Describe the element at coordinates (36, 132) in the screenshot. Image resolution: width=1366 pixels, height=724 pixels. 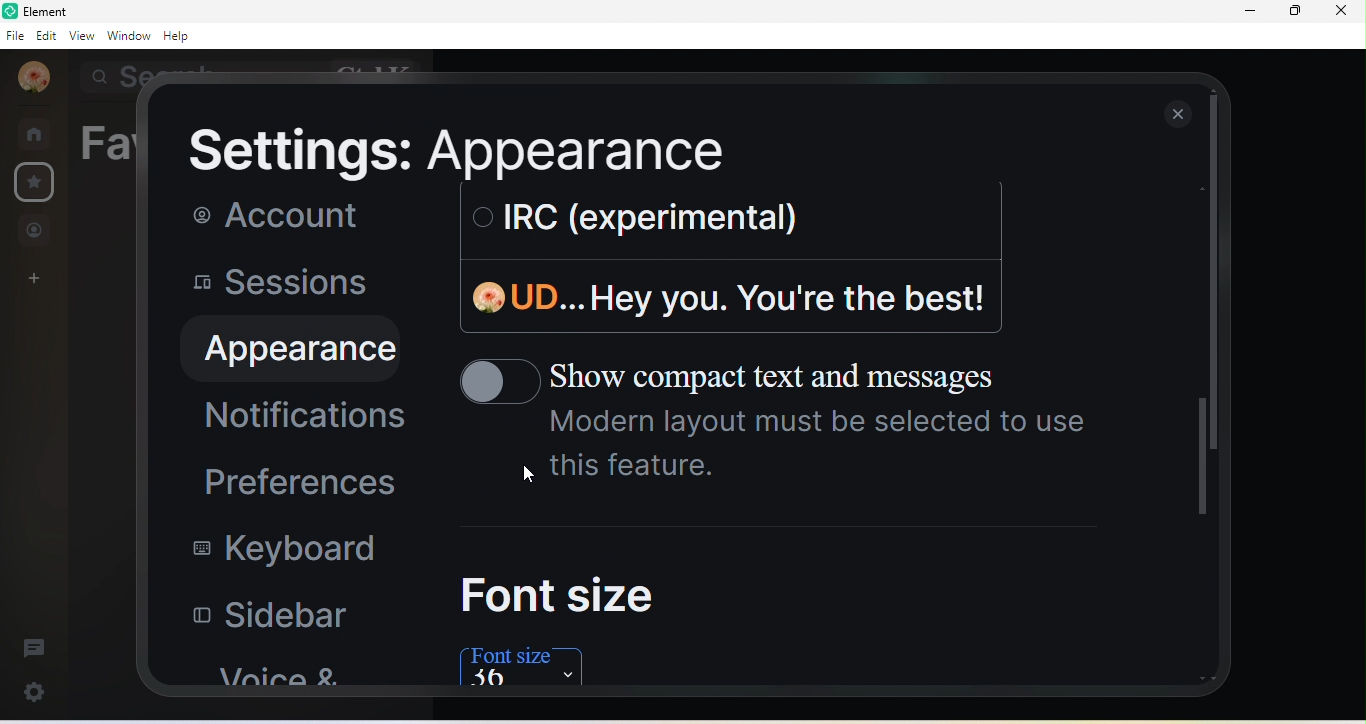
I see `rooms` at that location.